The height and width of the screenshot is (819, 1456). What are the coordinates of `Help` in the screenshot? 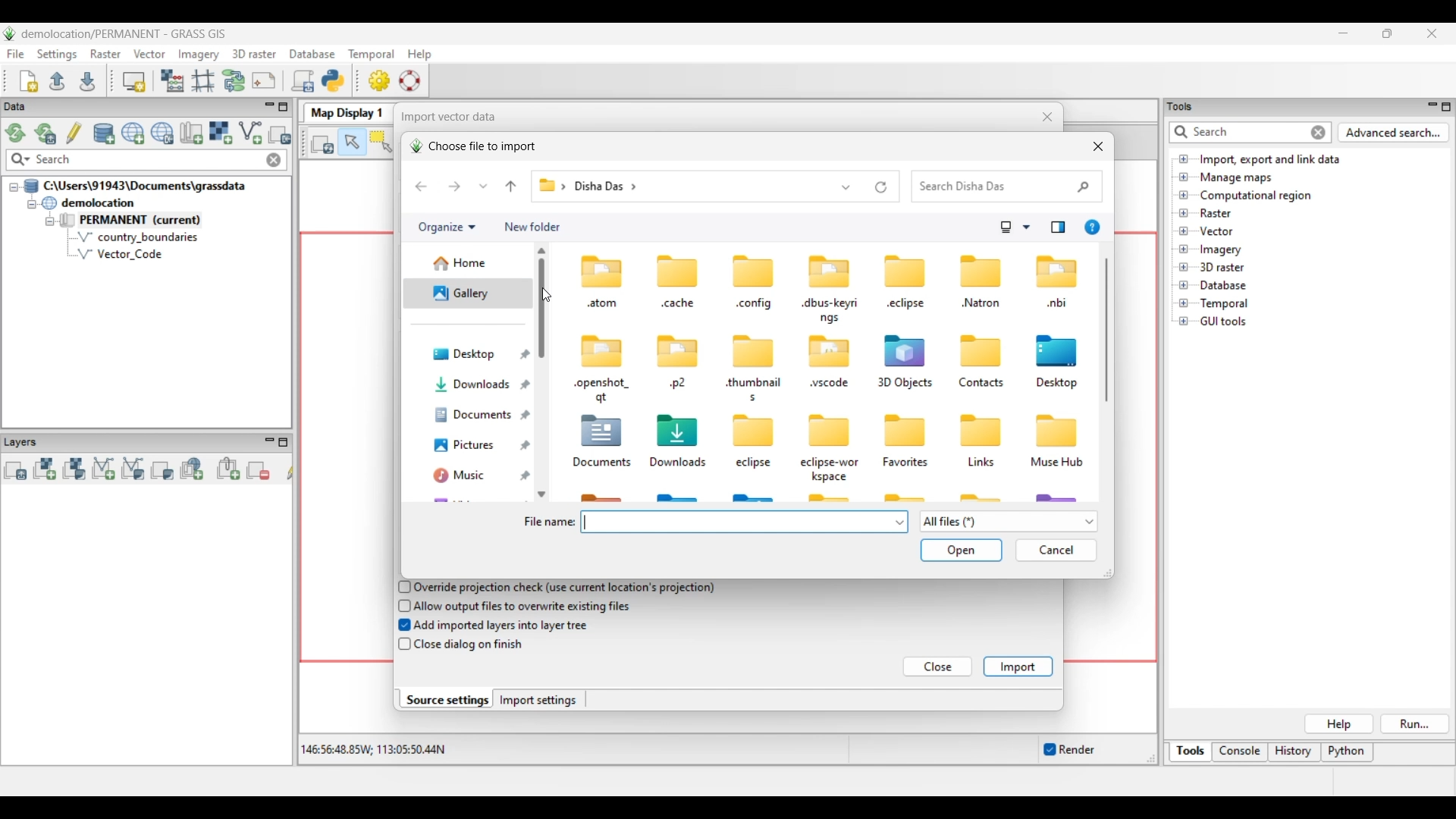 It's located at (1338, 724).